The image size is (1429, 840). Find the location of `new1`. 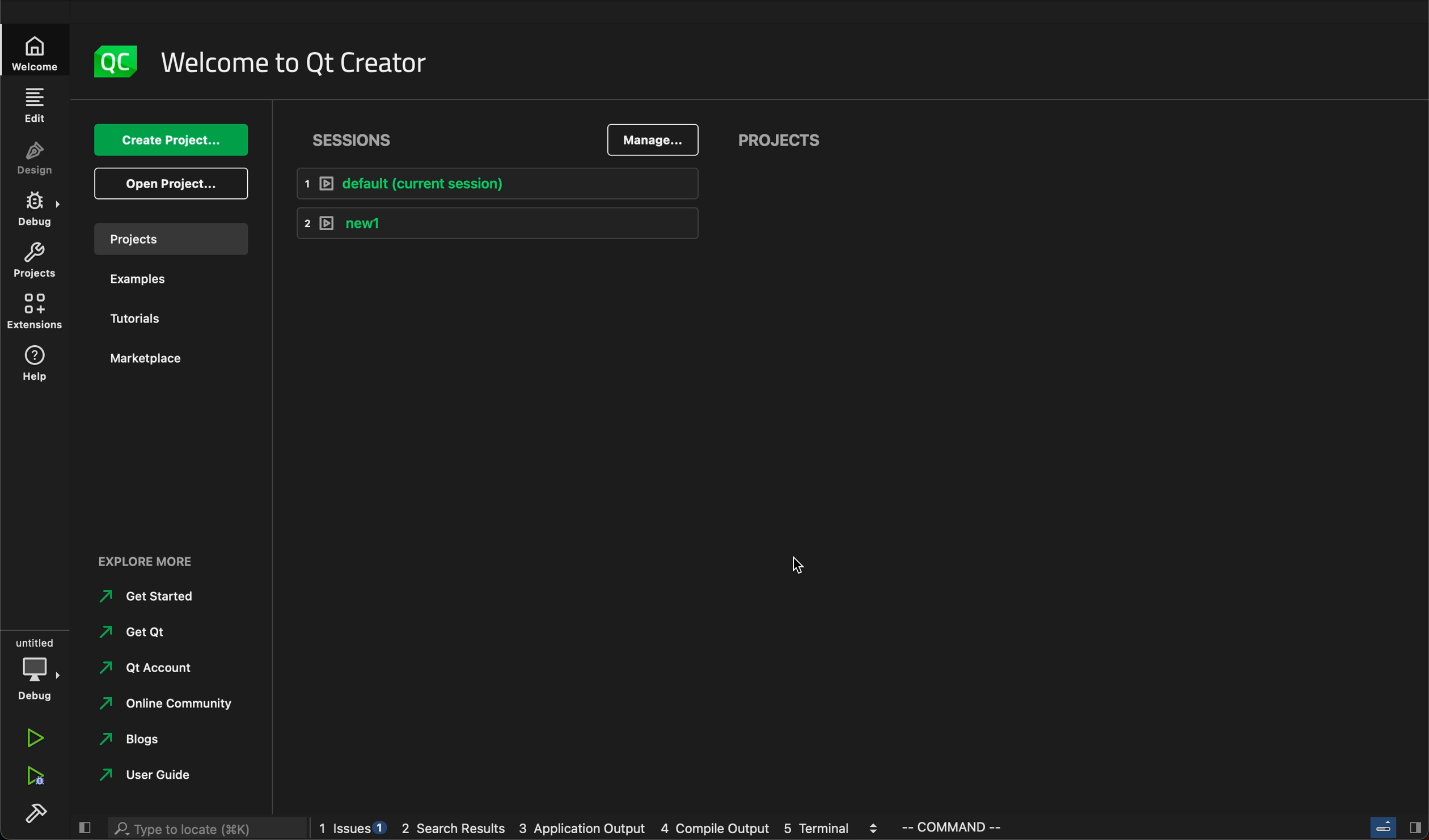

new1 is located at coordinates (498, 225).